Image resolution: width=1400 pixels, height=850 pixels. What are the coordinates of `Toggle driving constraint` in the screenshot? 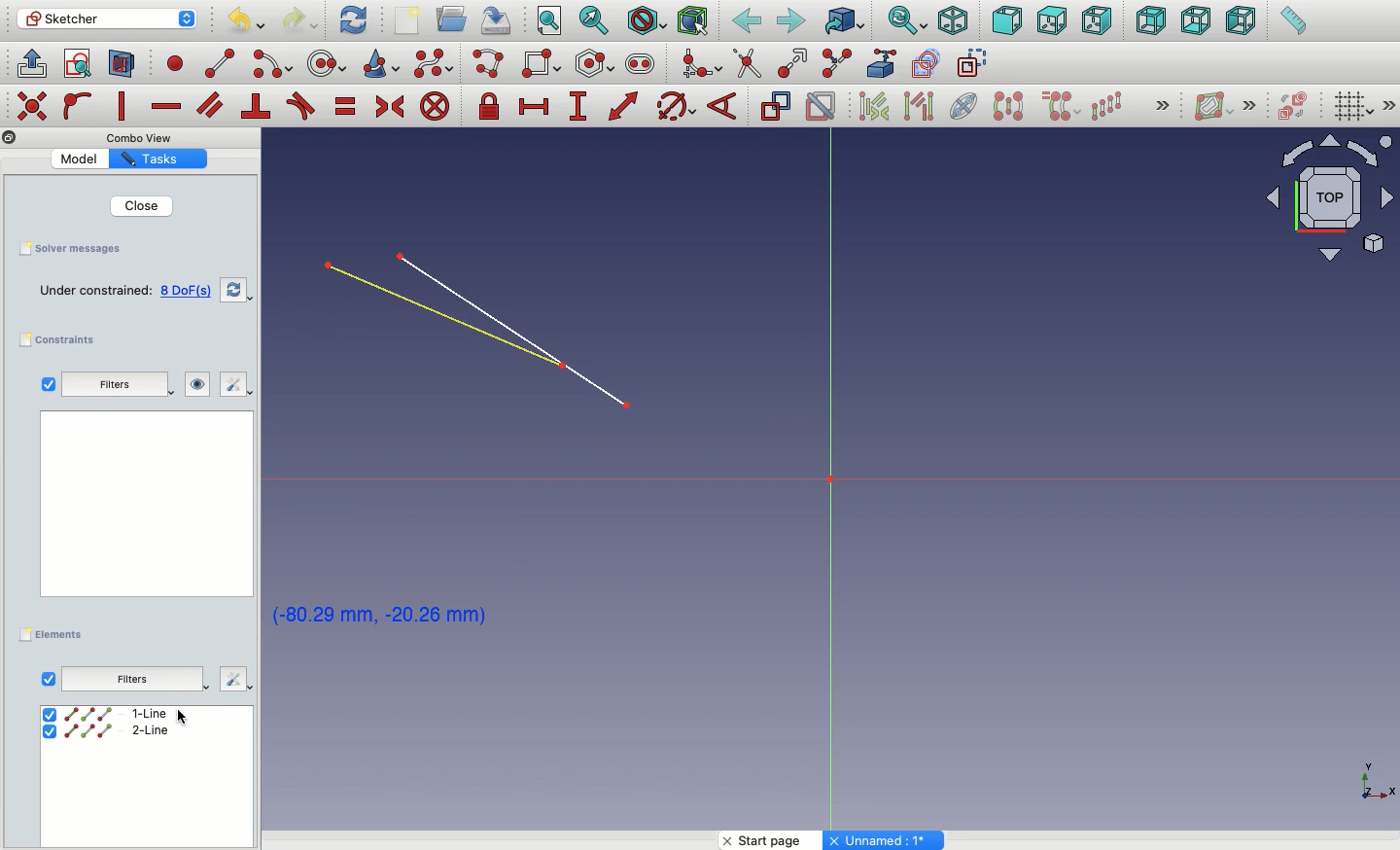 It's located at (775, 106).